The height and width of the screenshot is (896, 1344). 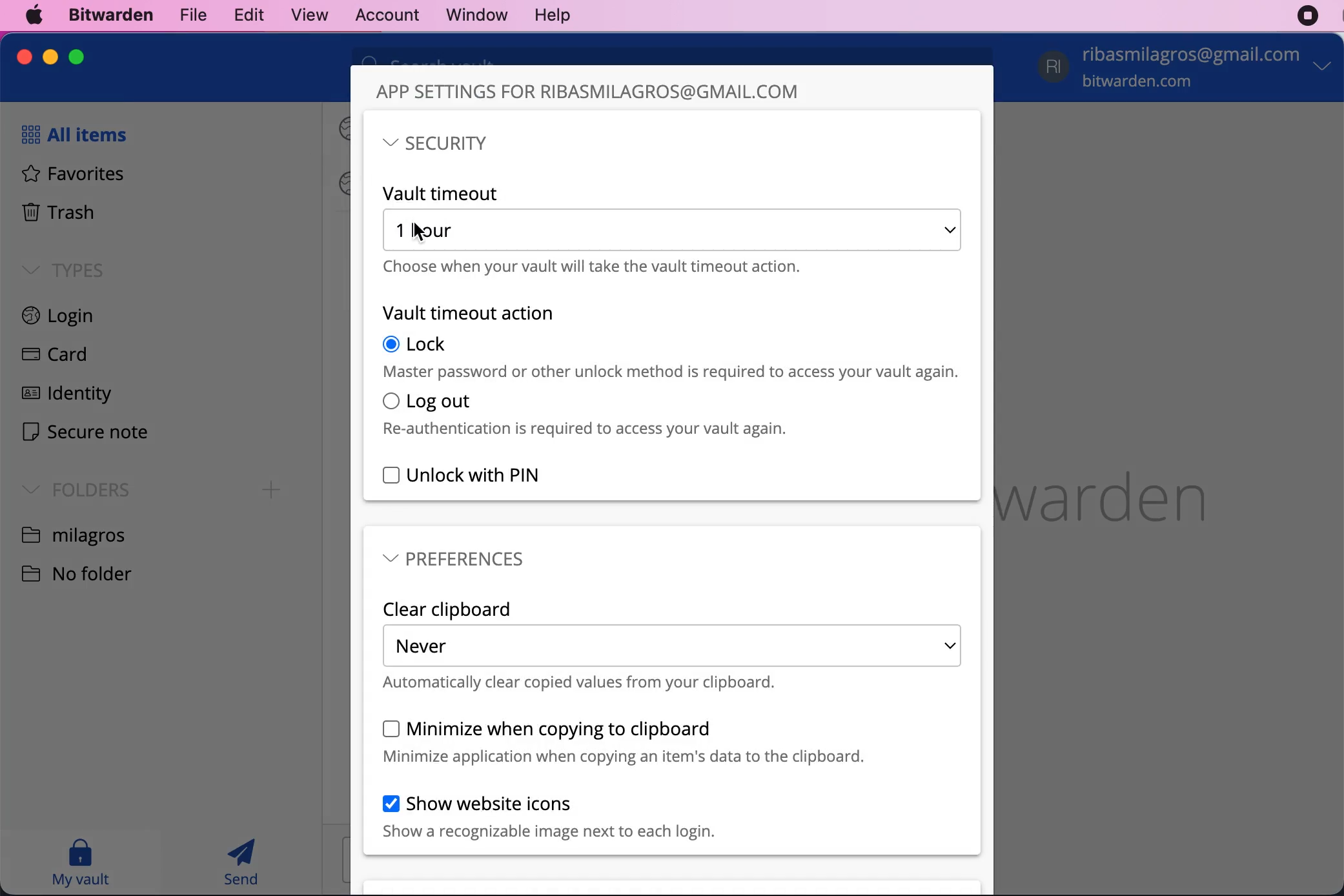 What do you see at coordinates (418, 232) in the screenshot?
I see `Cursor` at bounding box center [418, 232].